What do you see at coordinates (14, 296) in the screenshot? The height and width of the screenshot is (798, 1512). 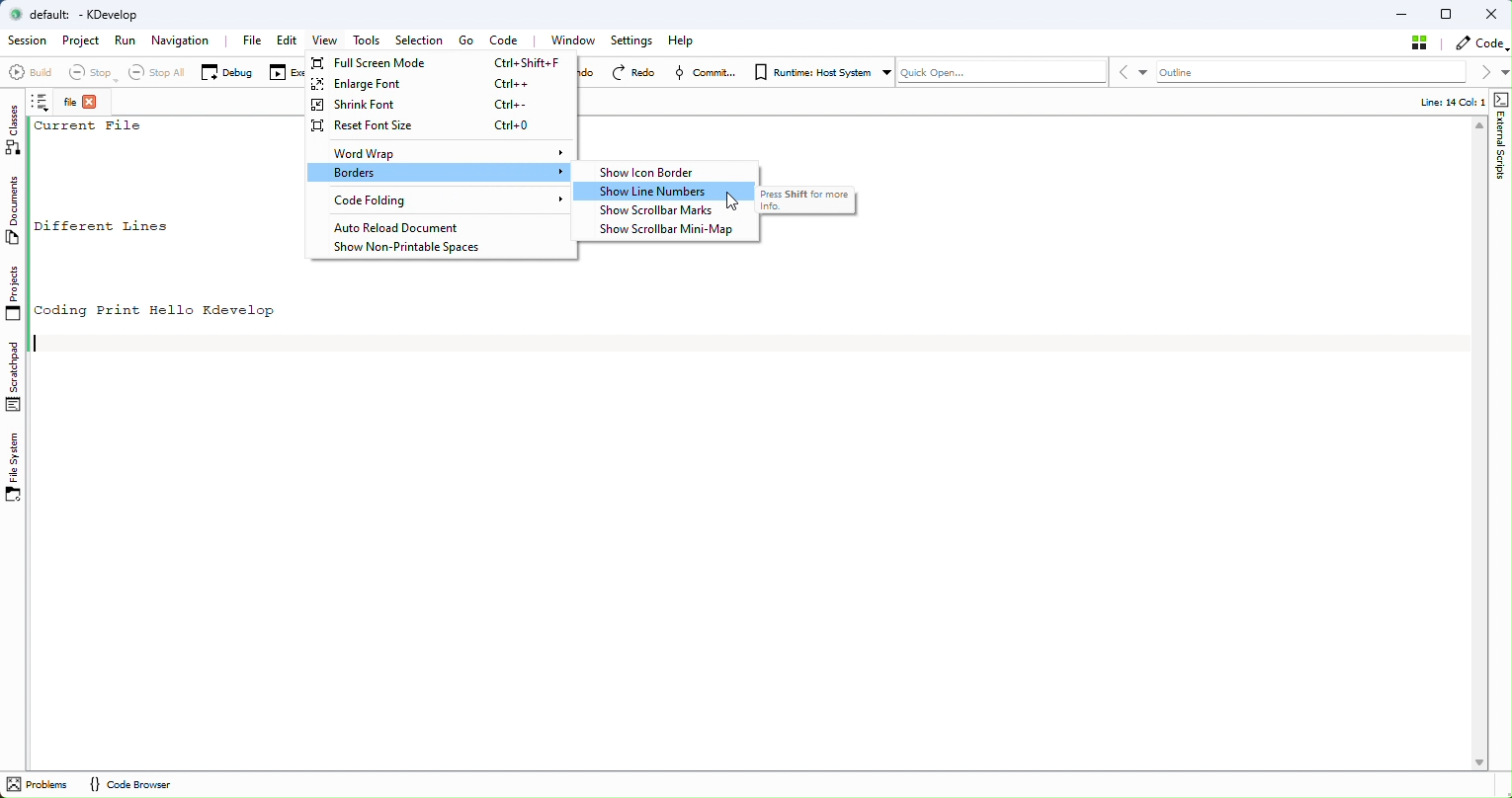 I see `Projects` at bounding box center [14, 296].